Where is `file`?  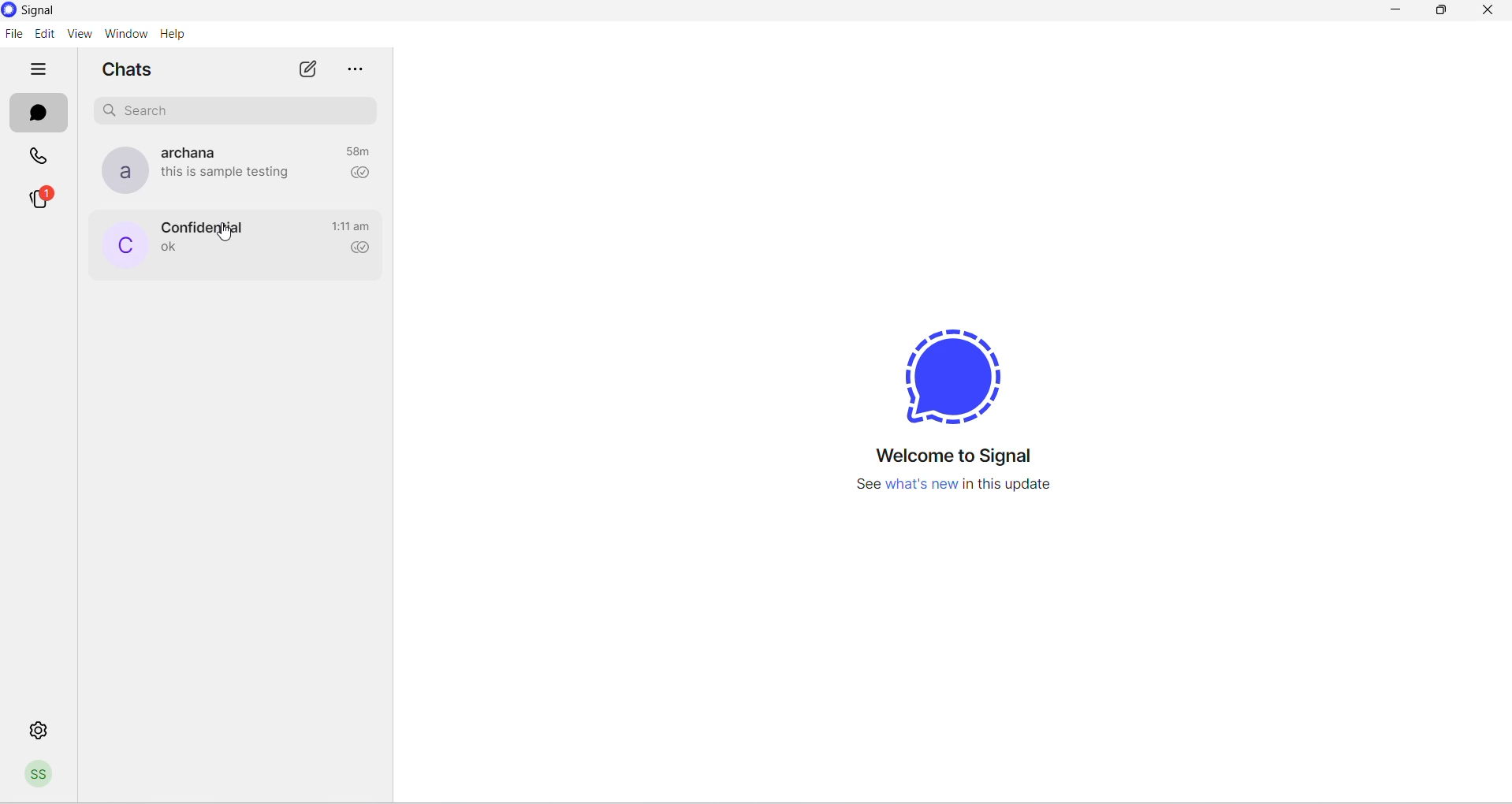
file is located at coordinates (15, 35).